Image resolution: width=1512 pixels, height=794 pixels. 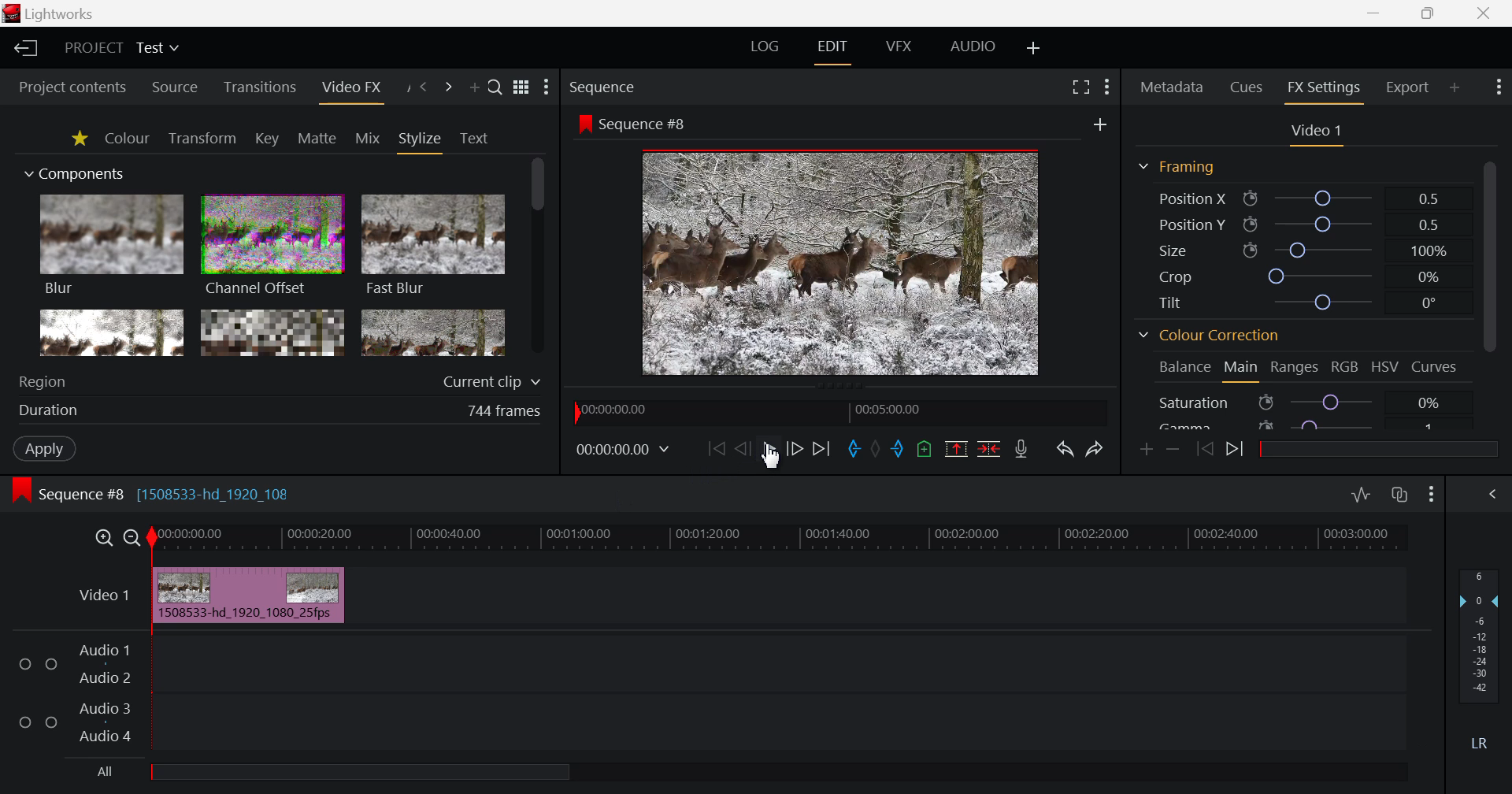 What do you see at coordinates (102, 538) in the screenshot?
I see `Timeline Zoom In` at bounding box center [102, 538].